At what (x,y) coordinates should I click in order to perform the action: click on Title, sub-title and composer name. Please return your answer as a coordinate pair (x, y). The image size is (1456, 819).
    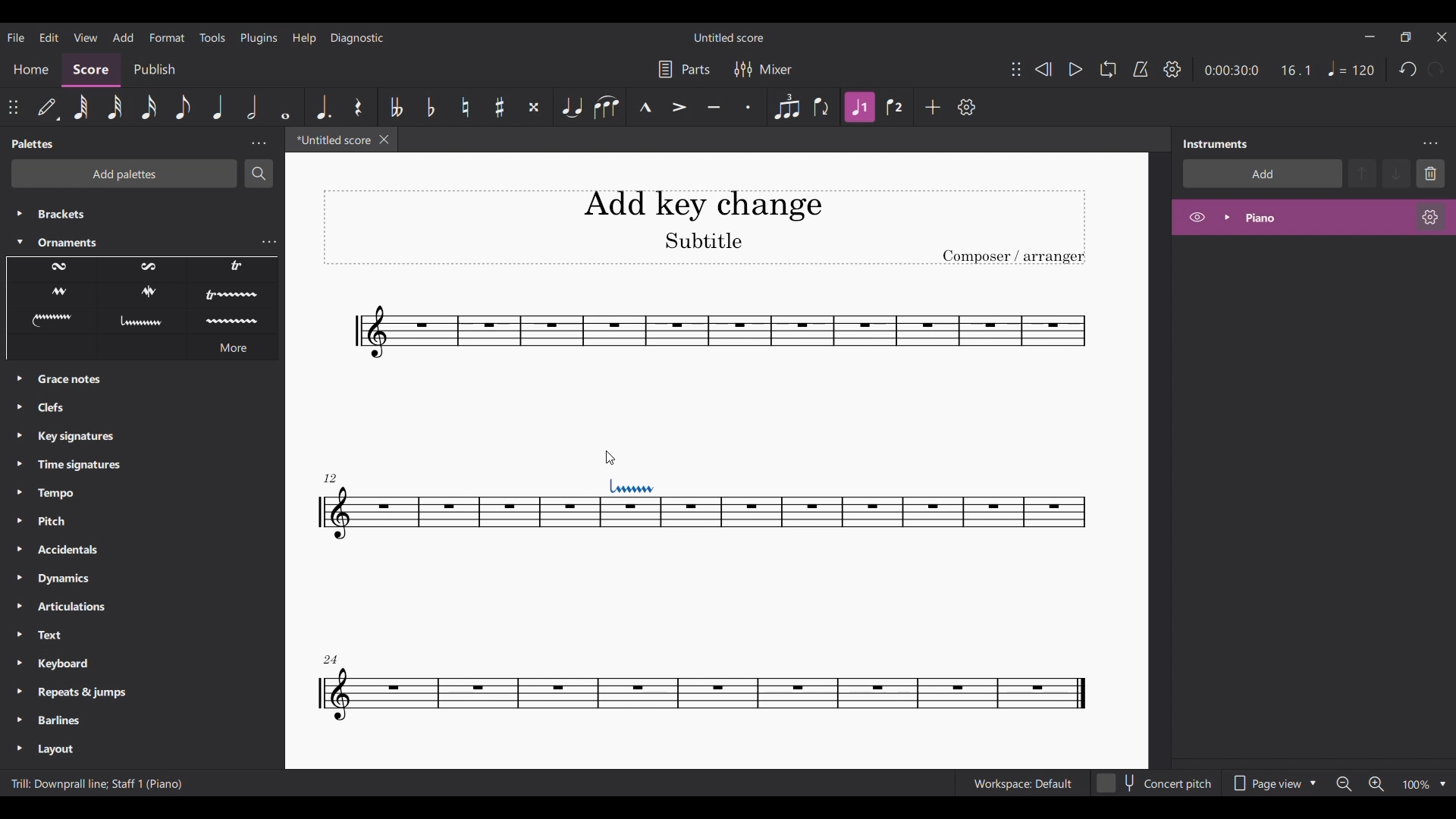
    Looking at the image, I should click on (704, 227).